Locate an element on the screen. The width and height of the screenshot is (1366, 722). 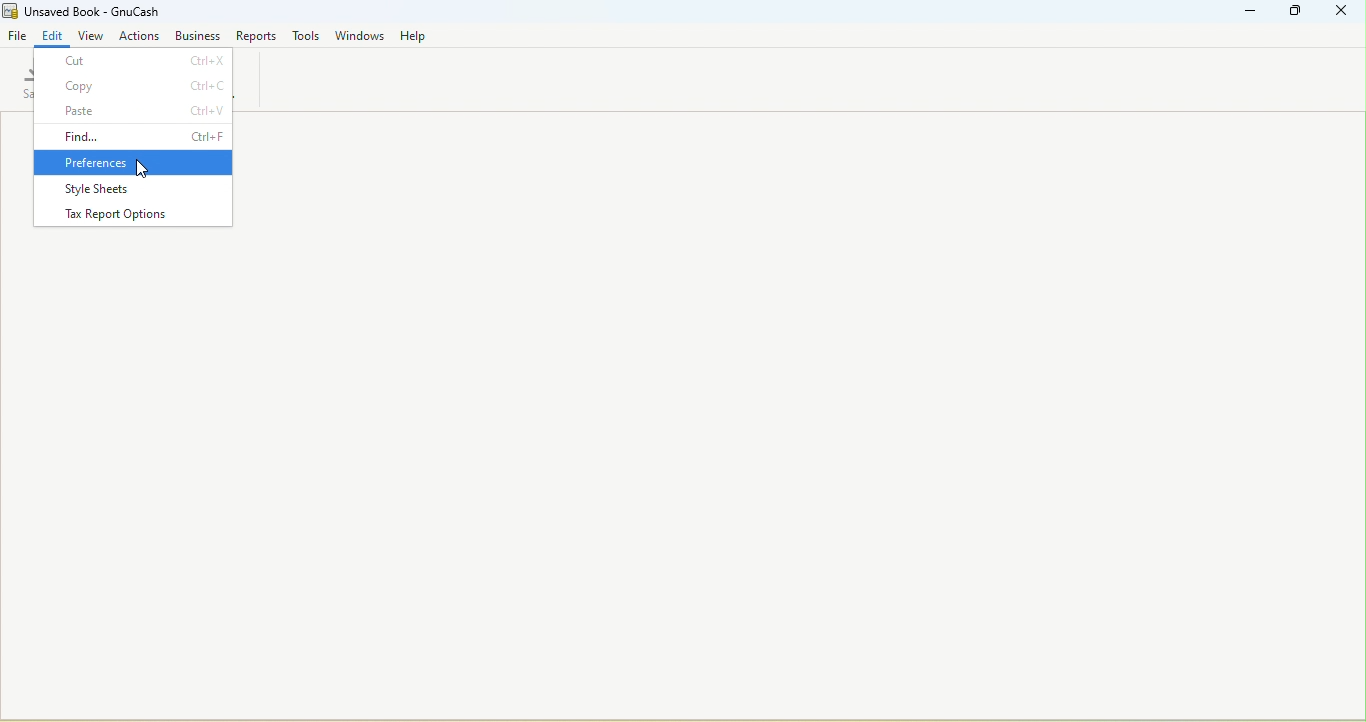
Unsaved Book - GnuCash is located at coordinates (92, 11).